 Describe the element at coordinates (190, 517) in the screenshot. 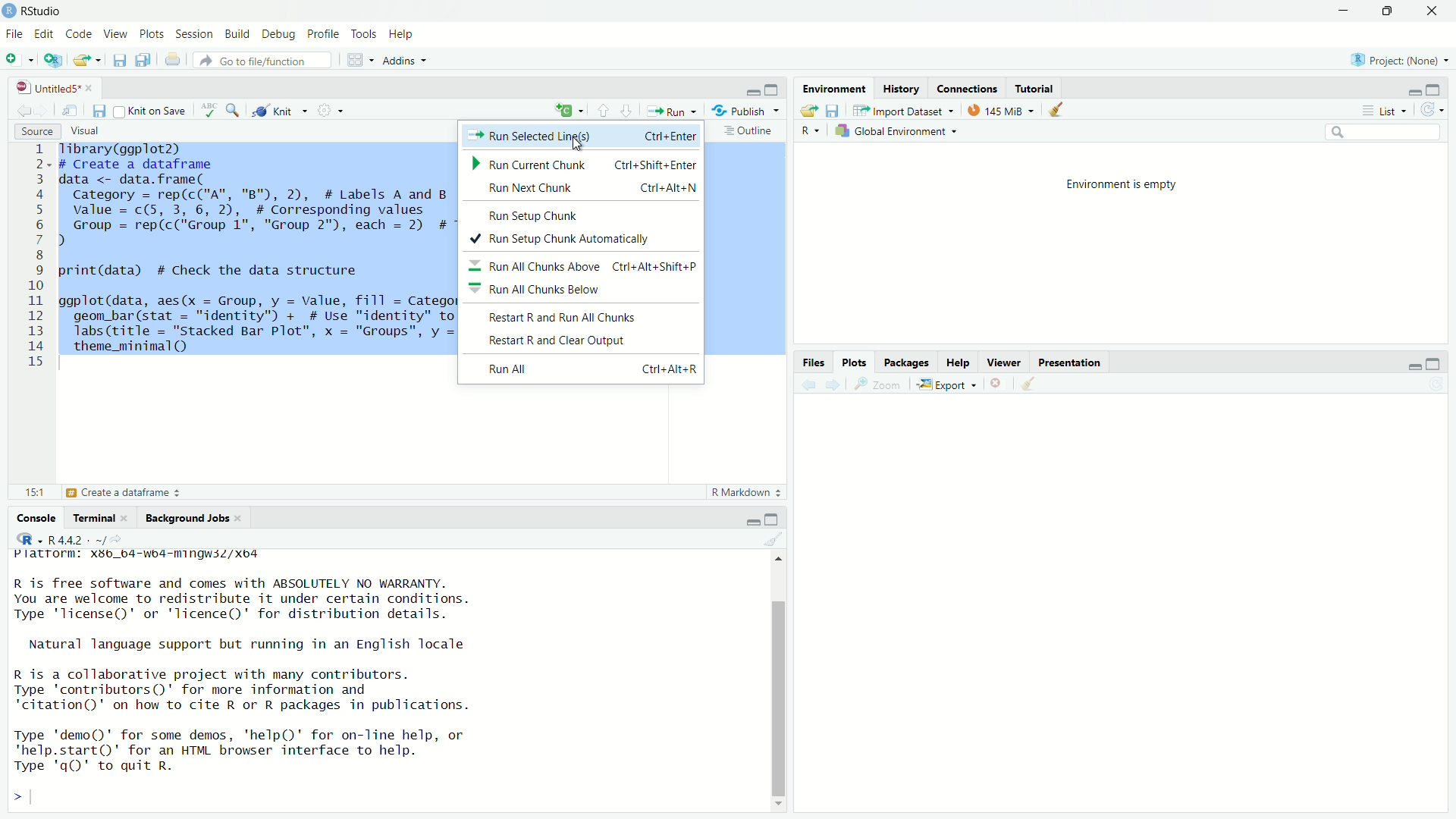

I see `Background Jobs` at that location.